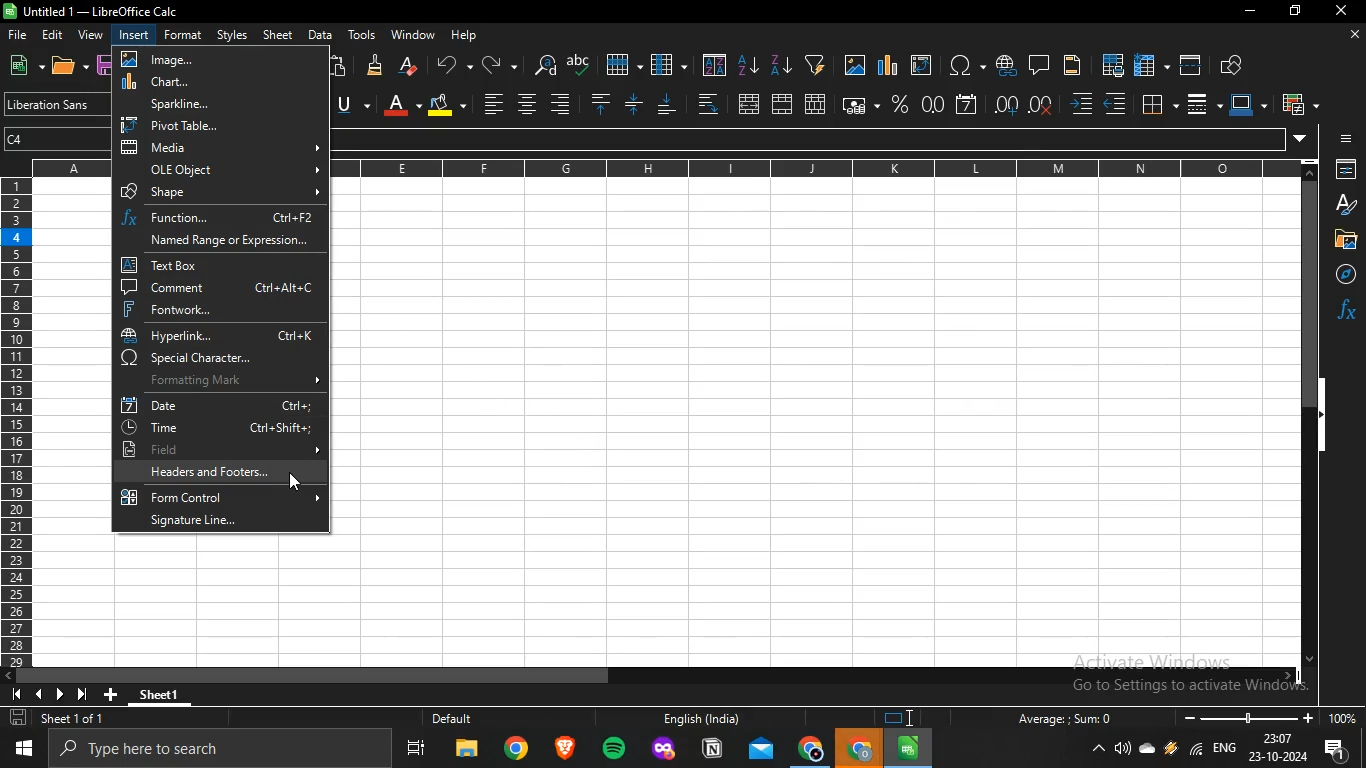  What do you see at coordinates (579, 64) in the screenshot?
I see `spelling` at bounding box center [579, 64].